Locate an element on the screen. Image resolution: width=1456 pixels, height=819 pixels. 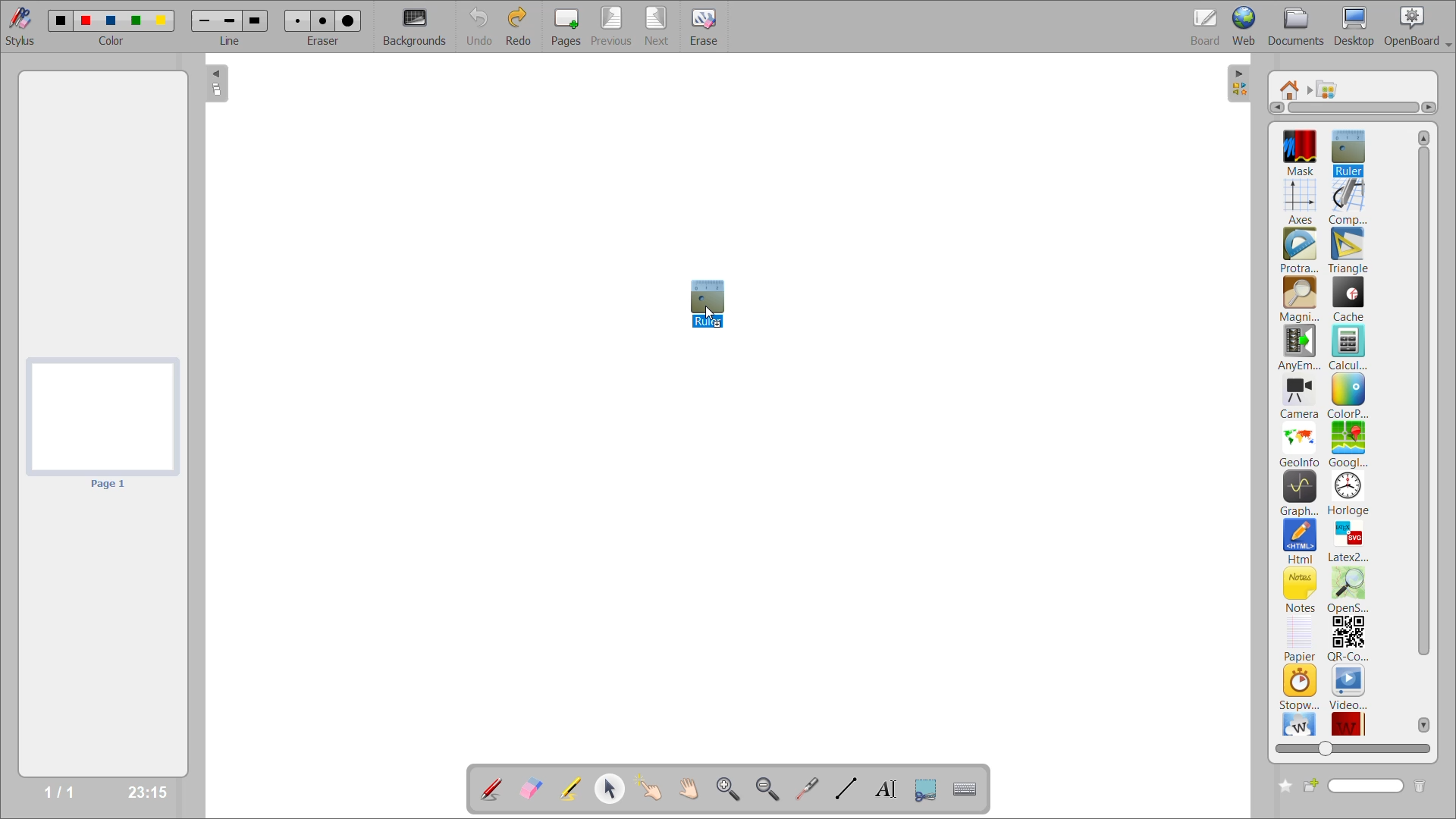
wikipedia is located at coordinates (1299, 723).